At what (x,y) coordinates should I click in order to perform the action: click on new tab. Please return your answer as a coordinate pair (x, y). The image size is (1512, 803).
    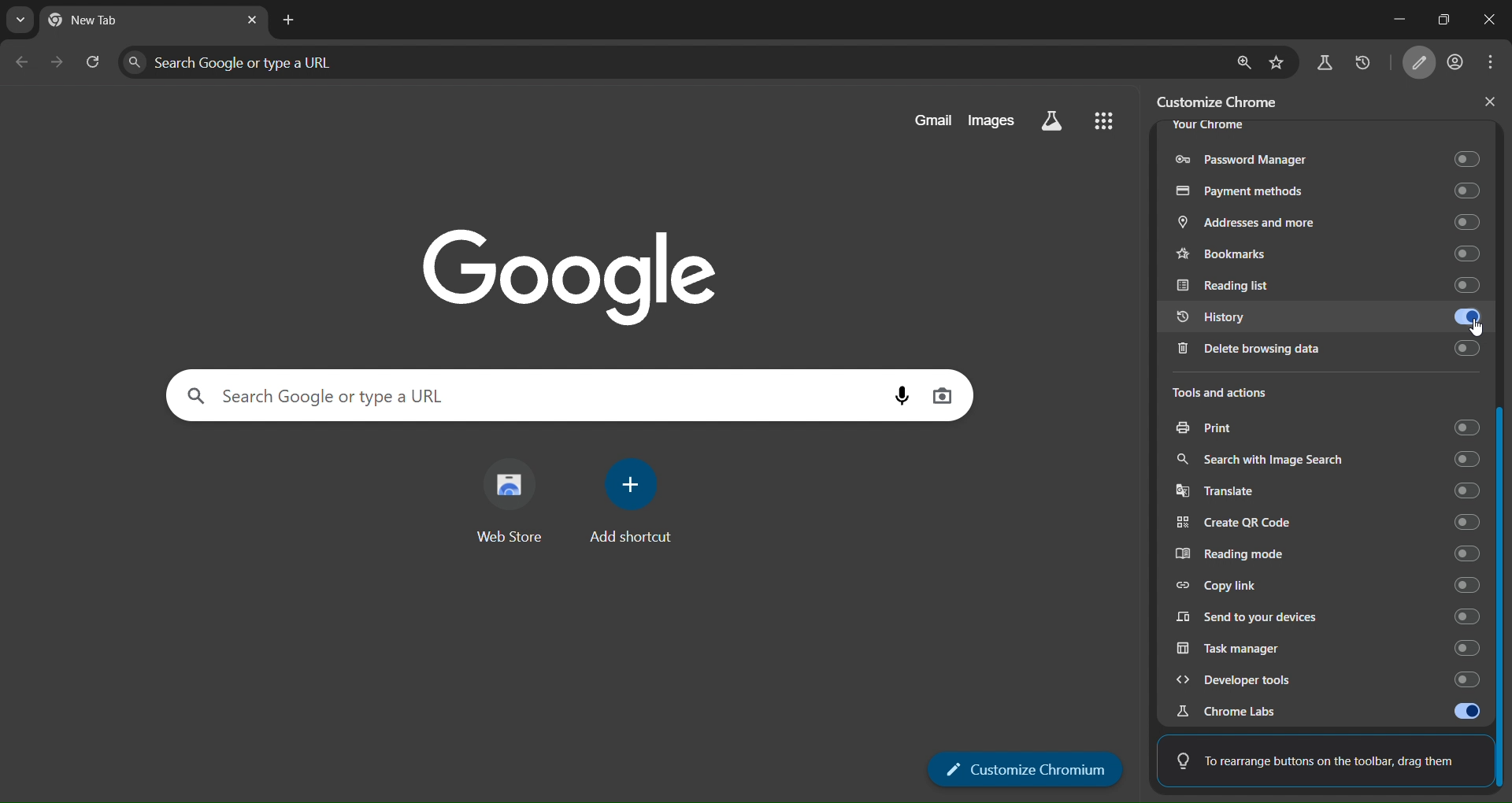
    Looking at the image, I should click on (289, 21).